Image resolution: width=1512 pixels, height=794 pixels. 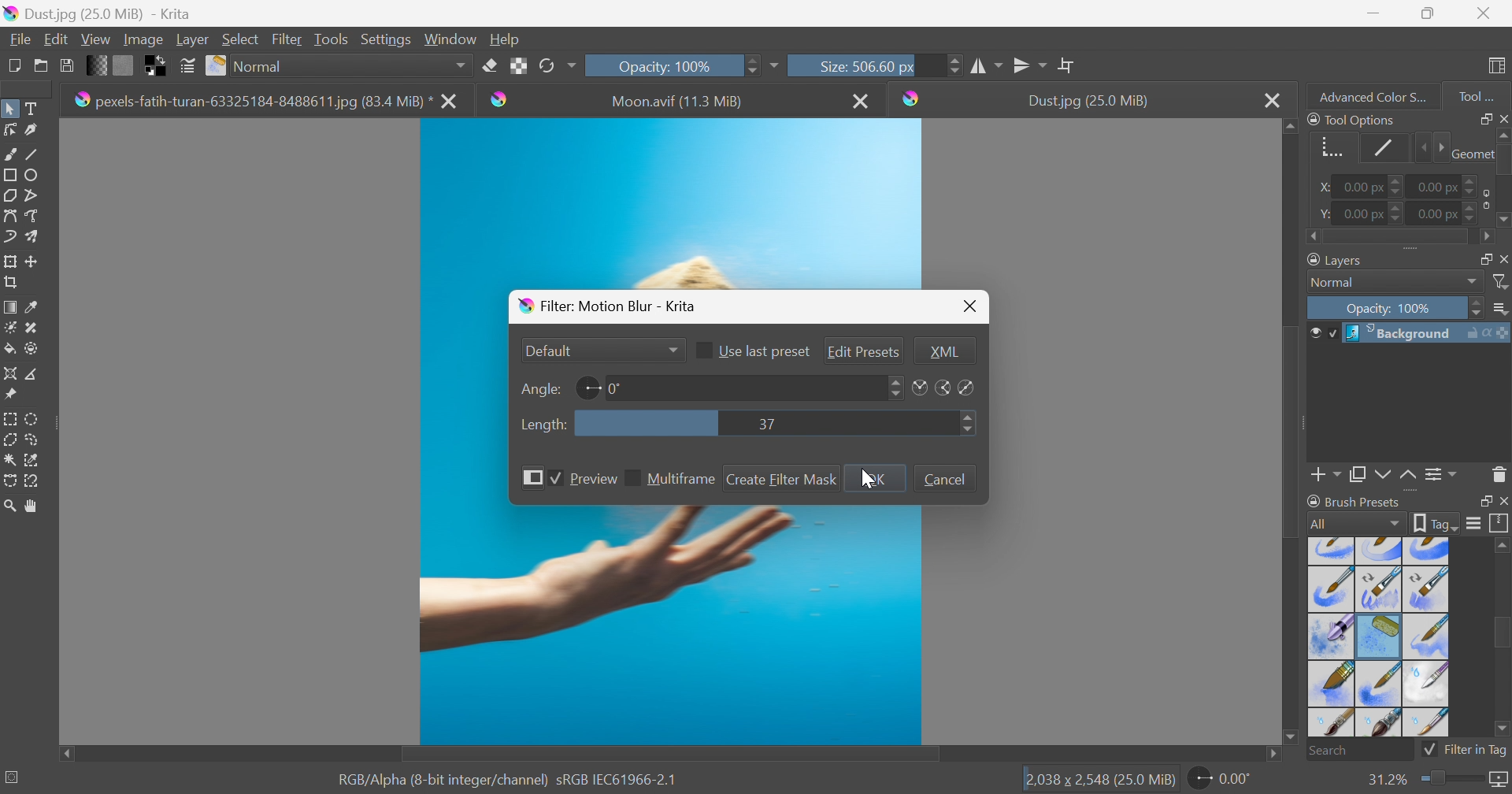 I want to click on Close, so click(x=1503, y=502).